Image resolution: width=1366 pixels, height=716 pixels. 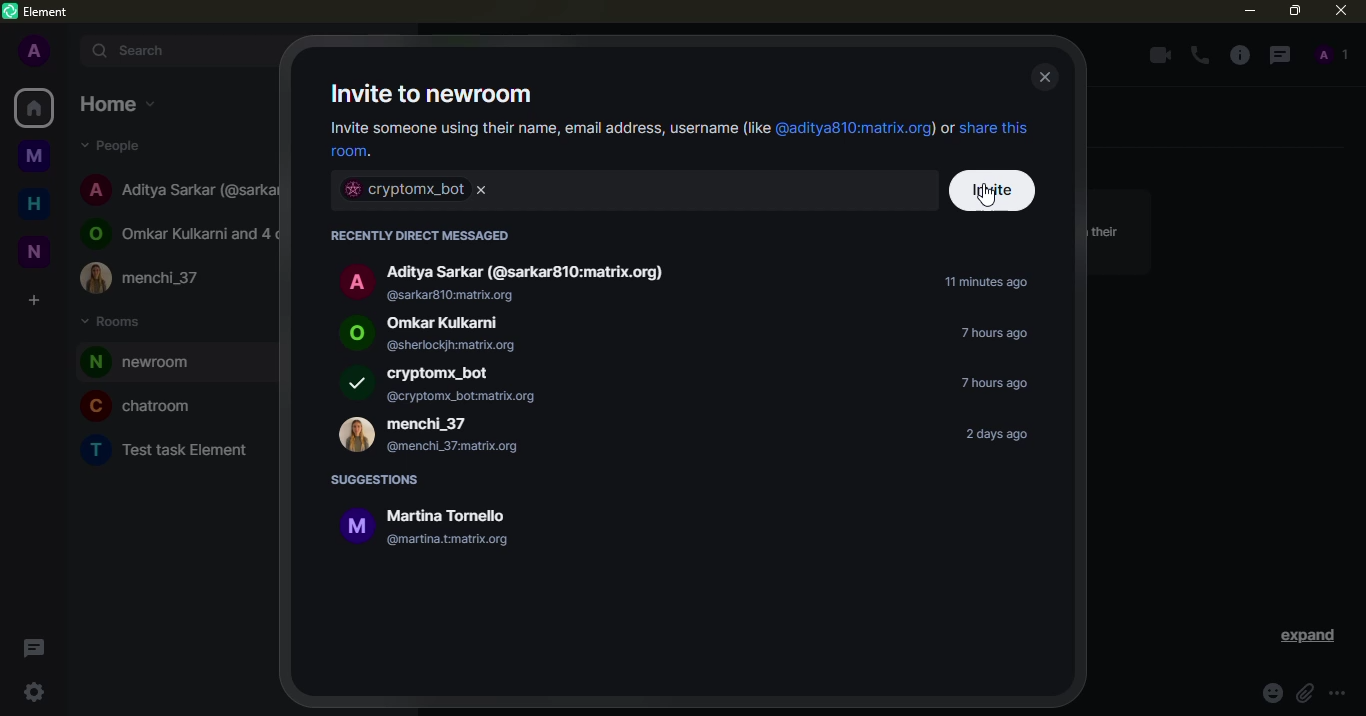 I want to click on more, so click(x=1342, y=695).